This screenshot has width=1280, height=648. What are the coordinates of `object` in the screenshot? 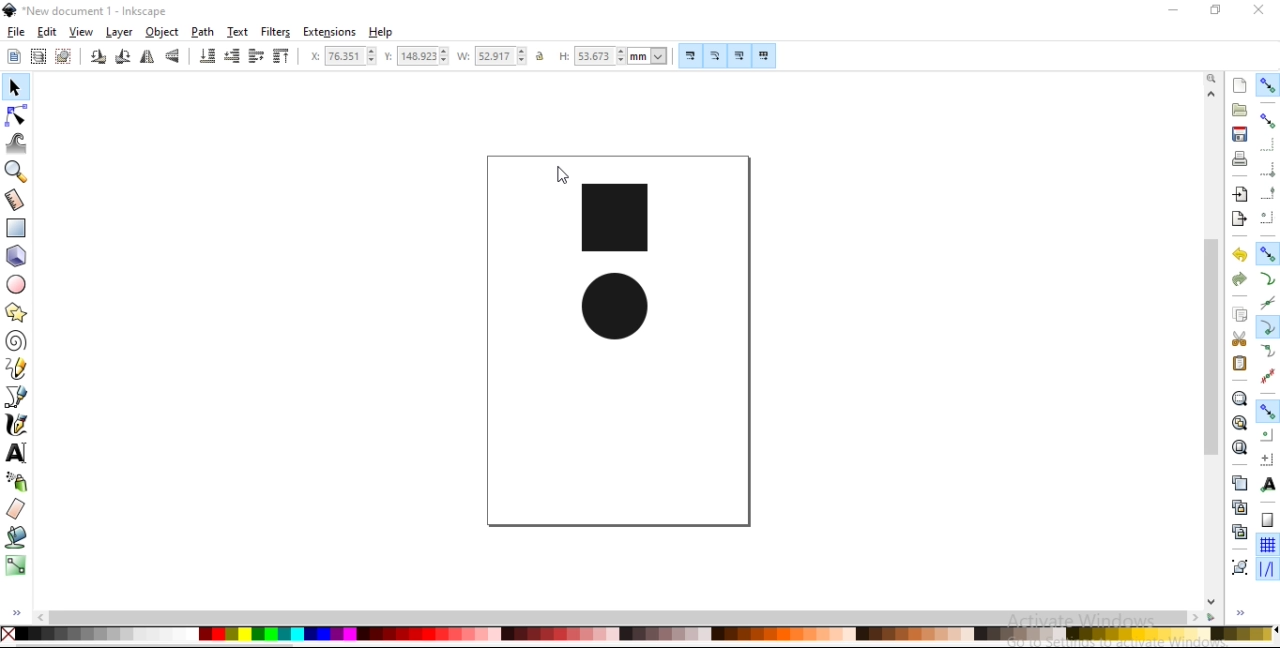 It's located at (162, 32).